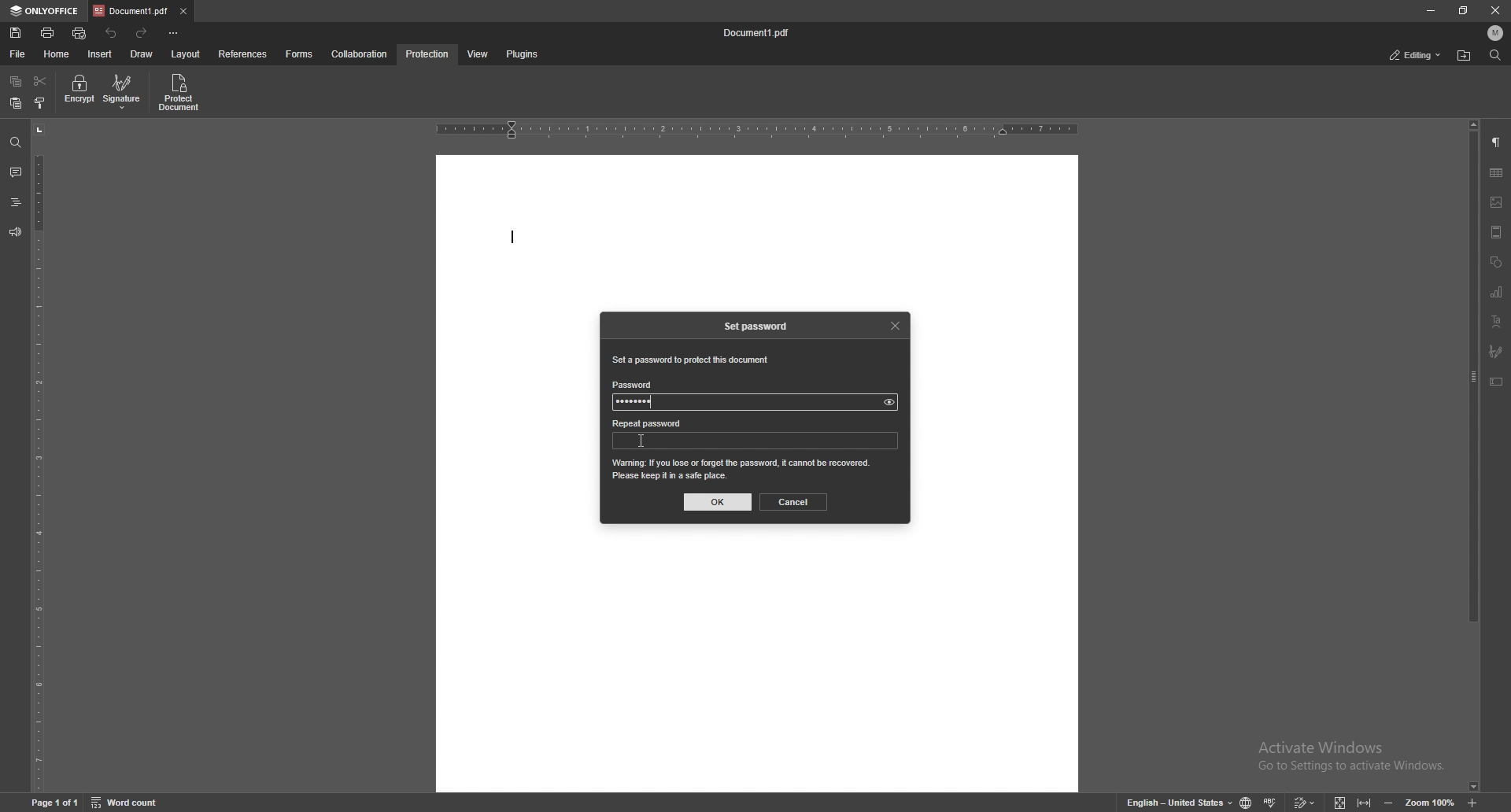  I want to click on repeat password, so click(650, 425).